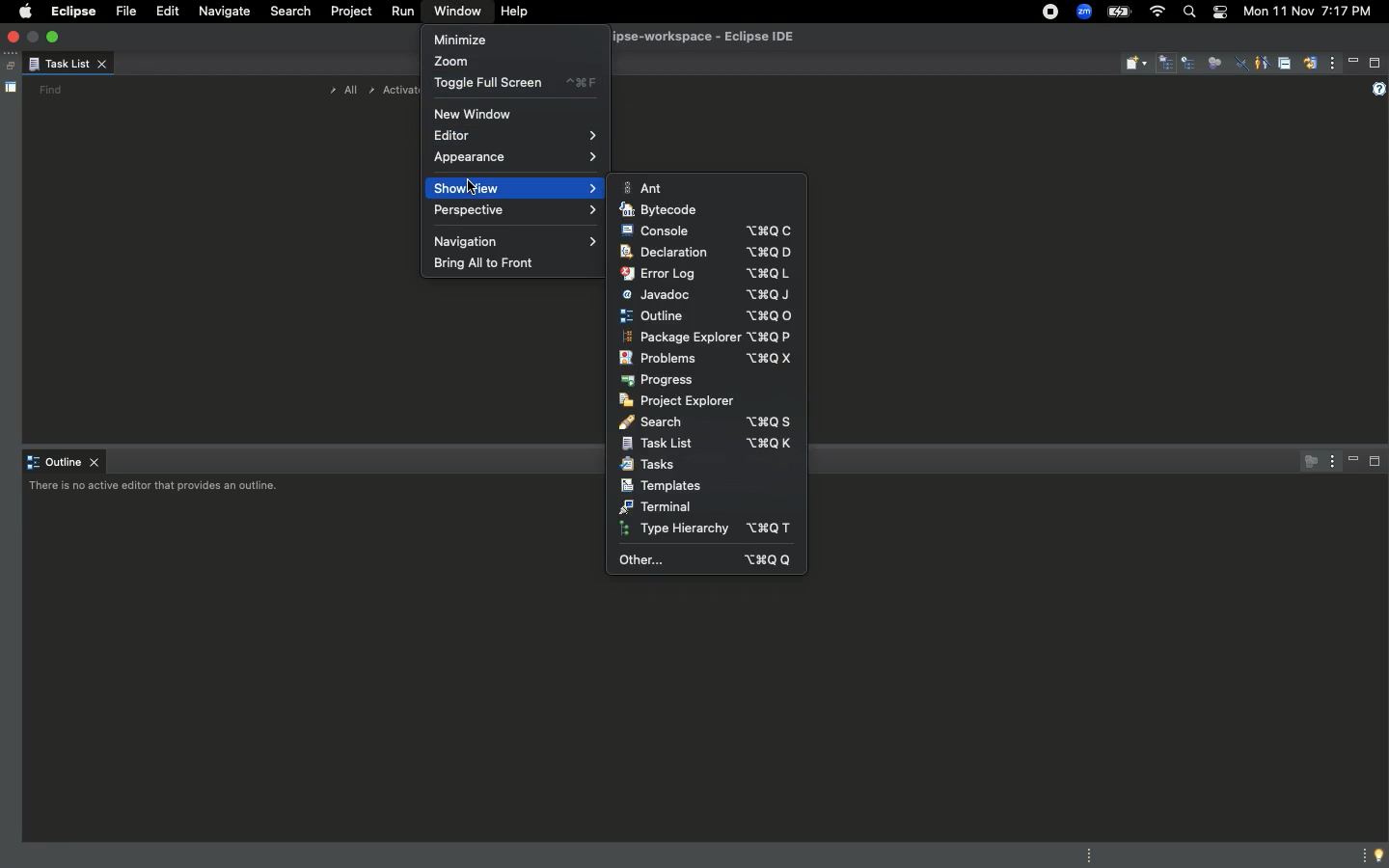 Image resolution: width=1389 pixels, height=868 pixels. I want to click on Terminal, so click(656, 507).